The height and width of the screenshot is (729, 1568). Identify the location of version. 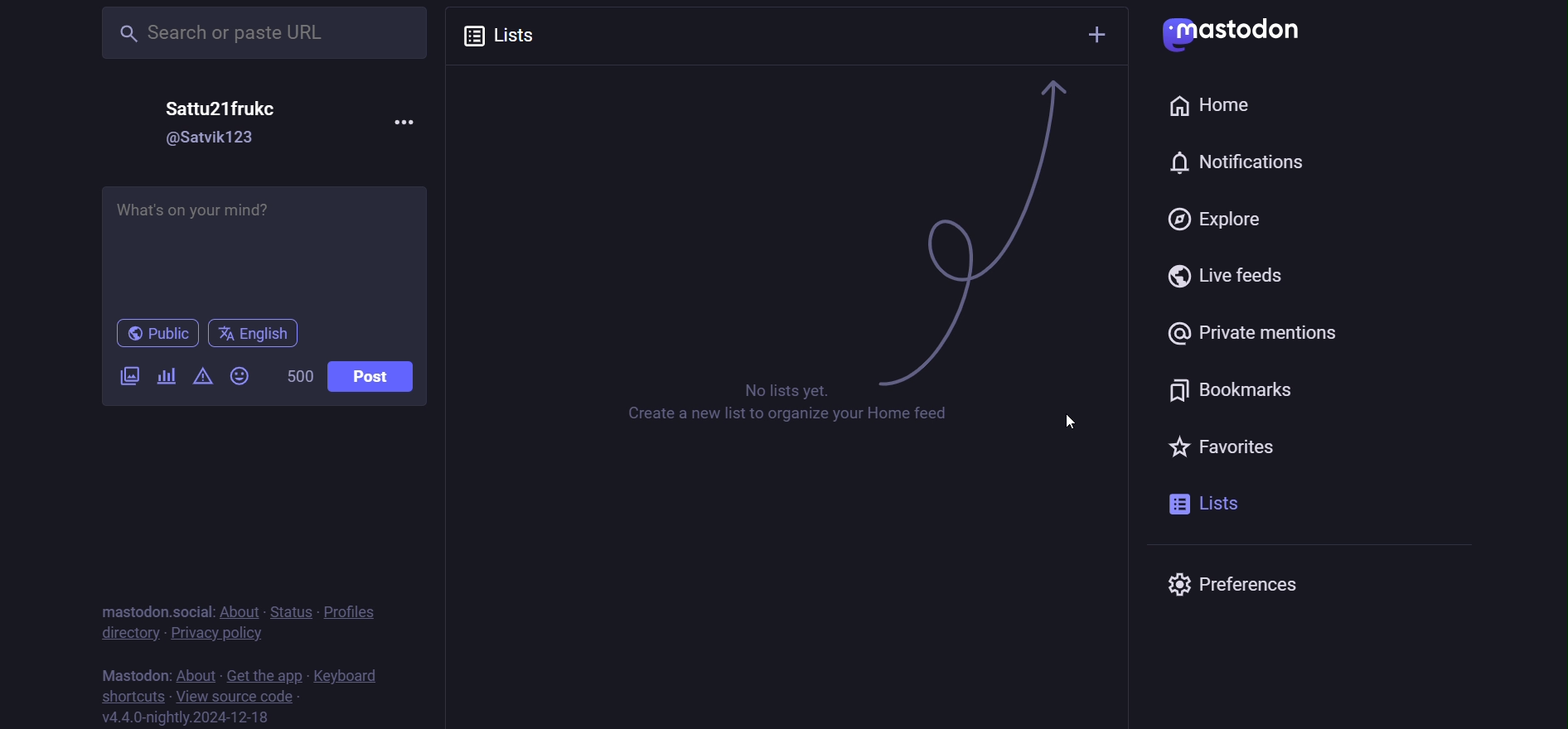
(197, 718).